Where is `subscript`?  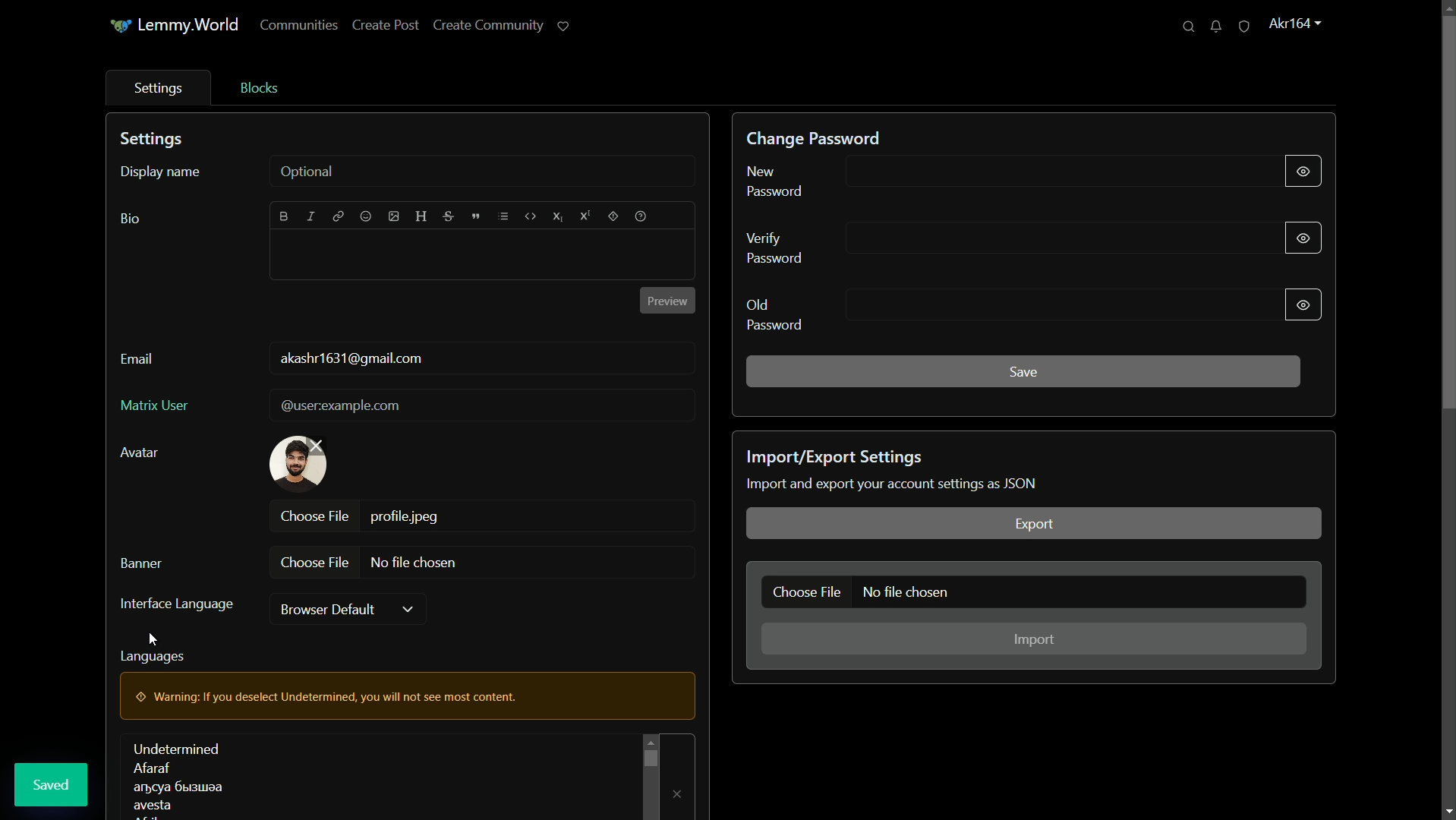 subscript is located at coordinates (558, 217).